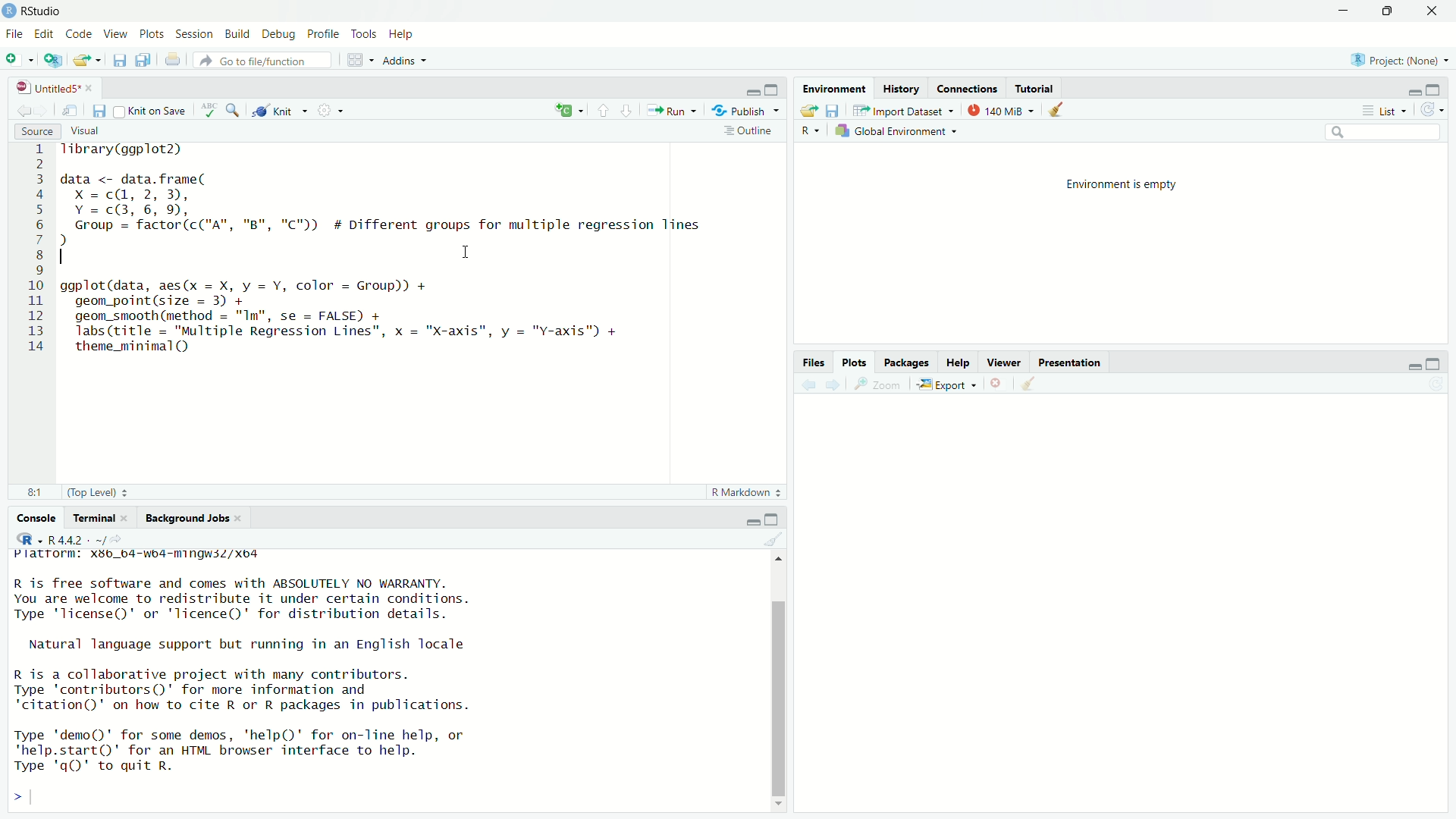 The height and width of the screenshot is (819, 1456). I want to click on refresh, so click(1436, 111).